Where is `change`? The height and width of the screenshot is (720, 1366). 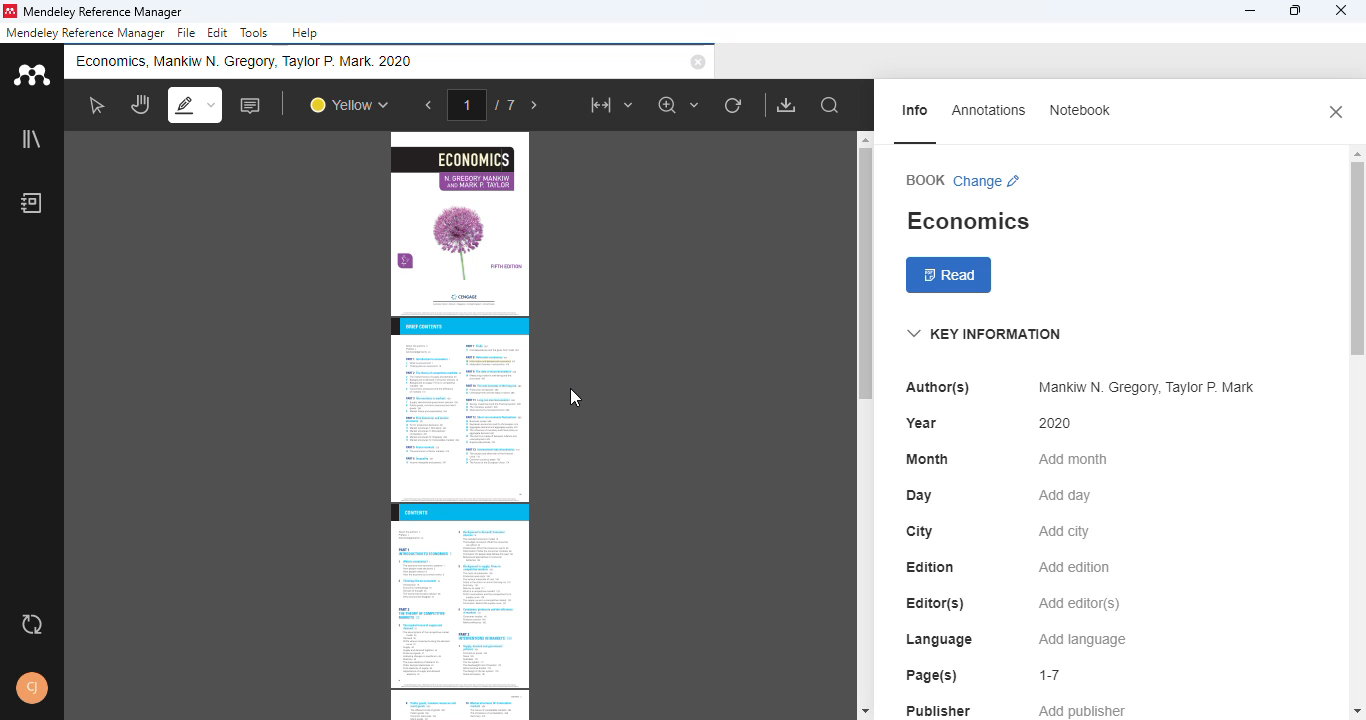 change is located at coordinates (988, 181).